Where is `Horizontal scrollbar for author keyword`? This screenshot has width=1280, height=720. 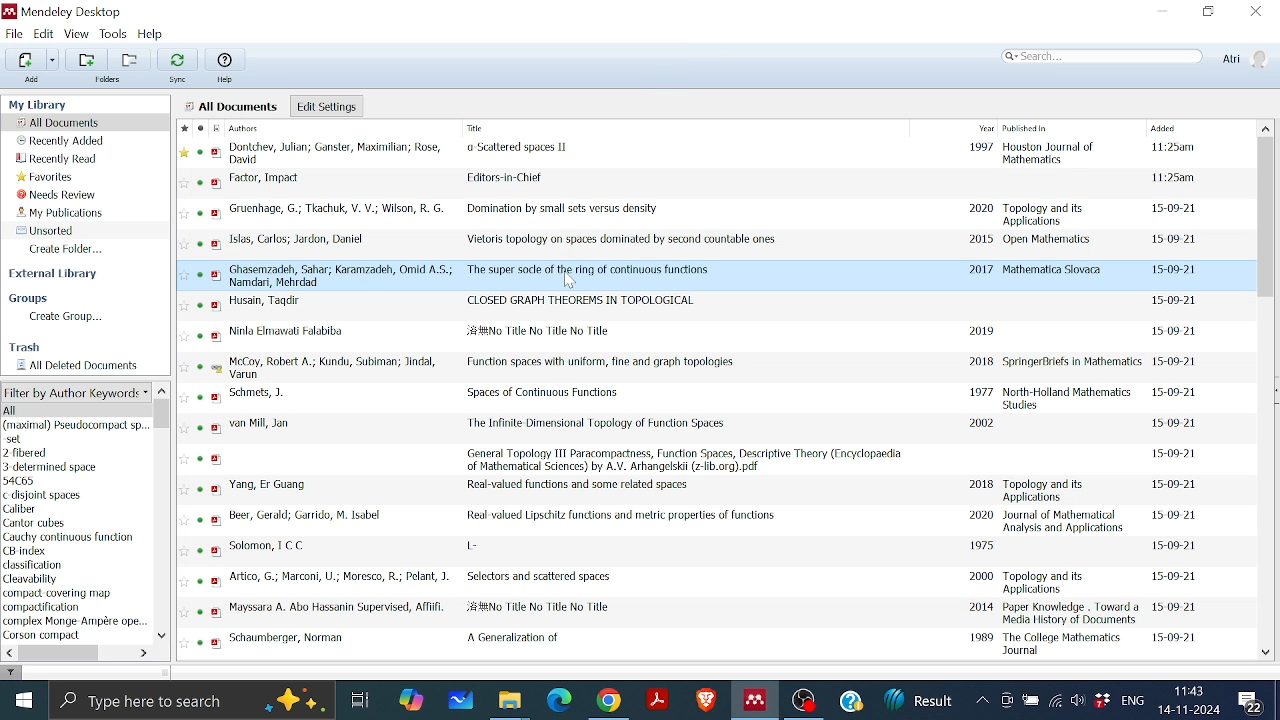 Horizontal scrollbar for author keyword is located at coordinates (59, 654).